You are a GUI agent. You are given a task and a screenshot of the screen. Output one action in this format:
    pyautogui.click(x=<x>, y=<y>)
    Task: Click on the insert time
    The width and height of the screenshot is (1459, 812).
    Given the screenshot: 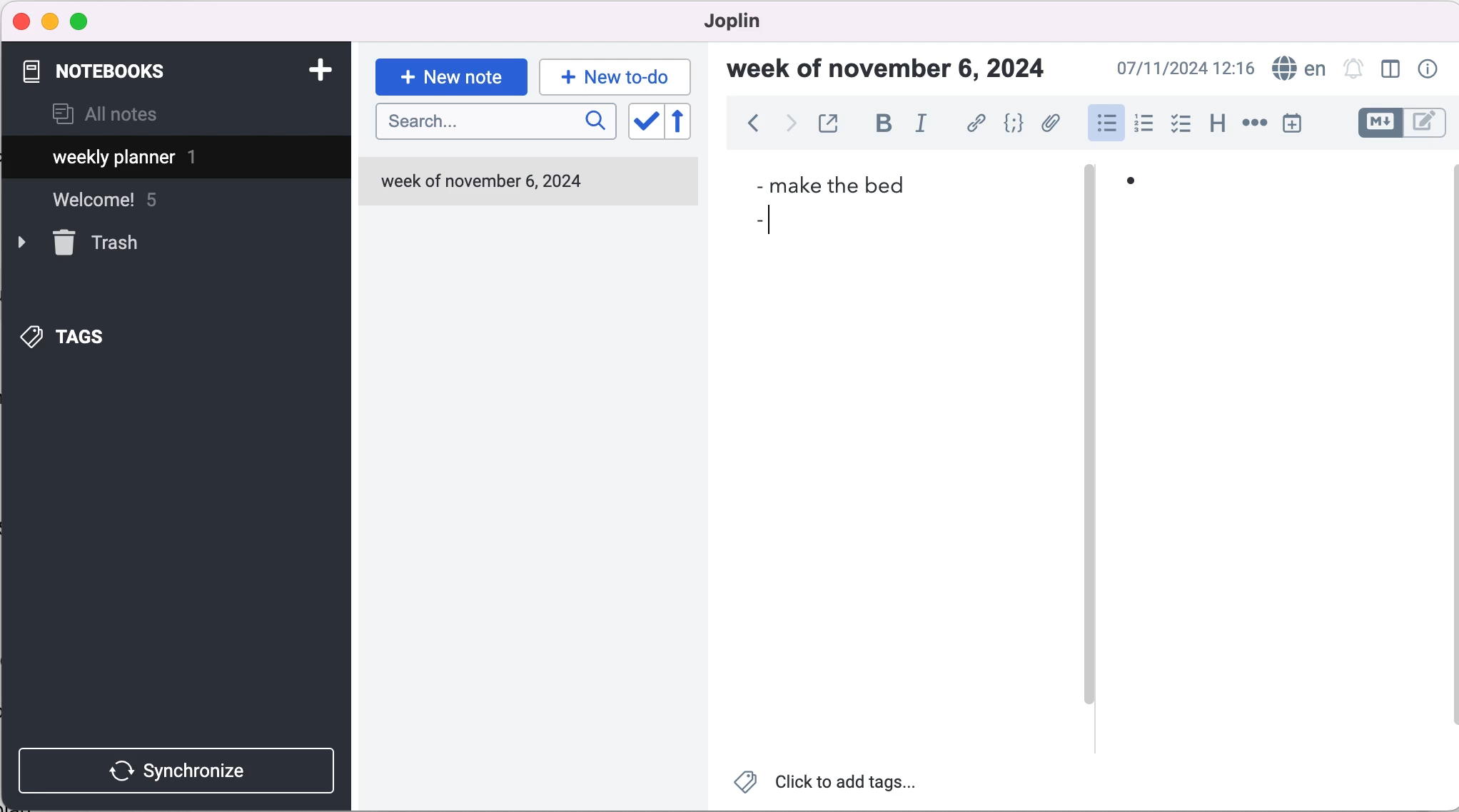 What is the action you would take?
    pyautogui.click(x=1295, y=123)
    